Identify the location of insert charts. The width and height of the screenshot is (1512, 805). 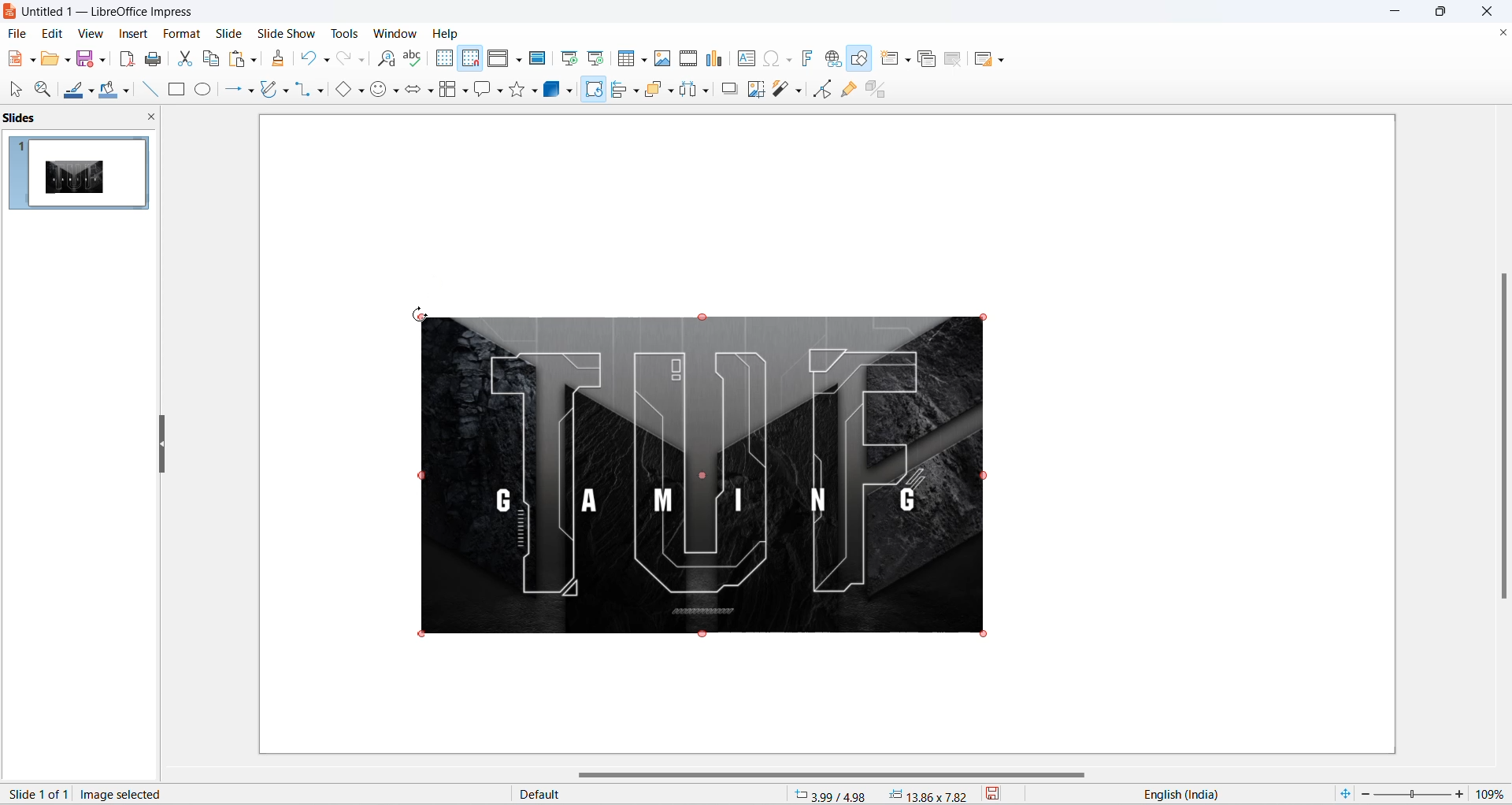
(715, 59).